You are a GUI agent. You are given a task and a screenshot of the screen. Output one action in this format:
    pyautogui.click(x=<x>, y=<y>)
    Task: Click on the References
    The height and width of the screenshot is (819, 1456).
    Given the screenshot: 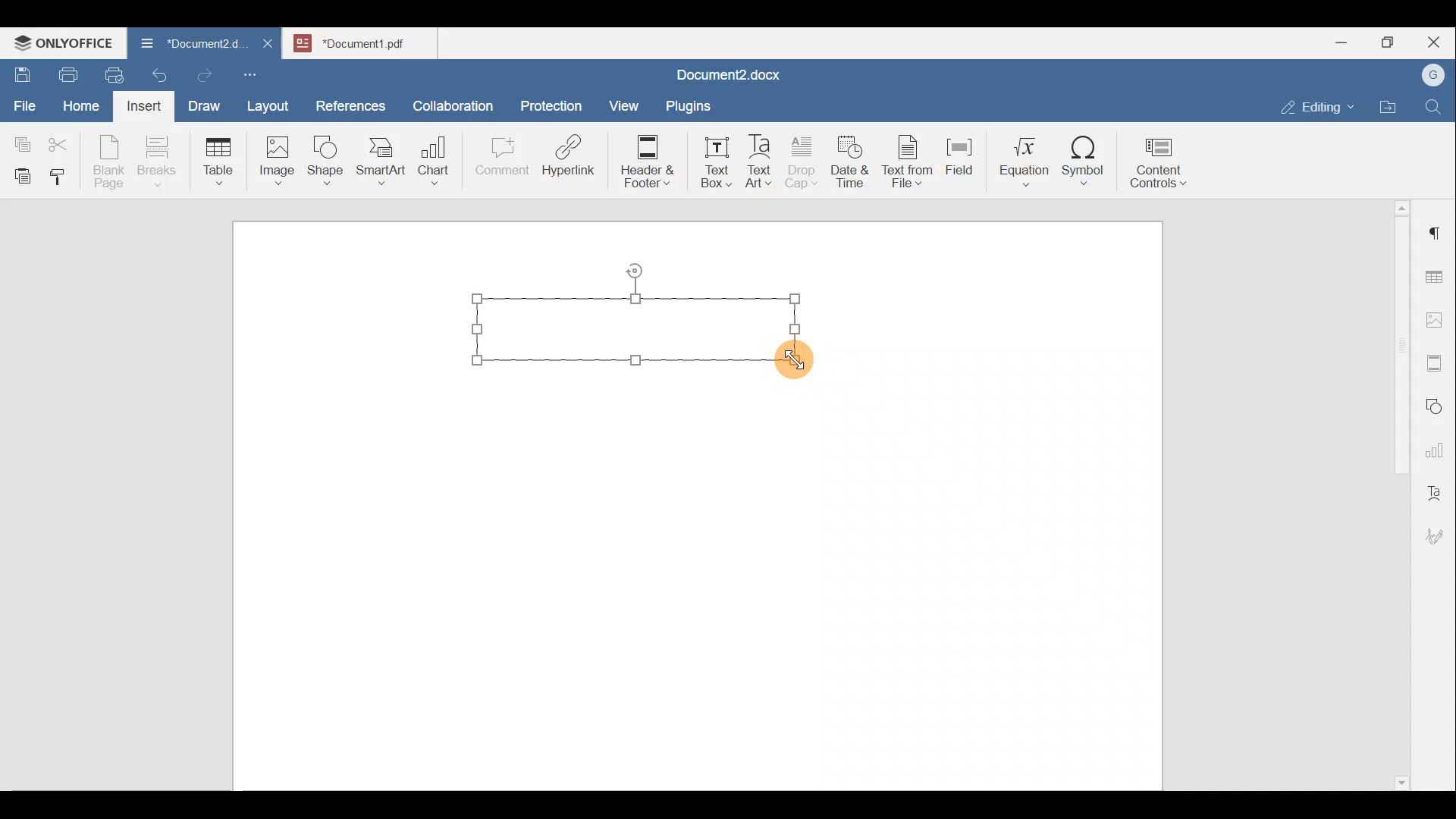 What is the action you would take?
    pyautogui.click(x=350, y=104)
    